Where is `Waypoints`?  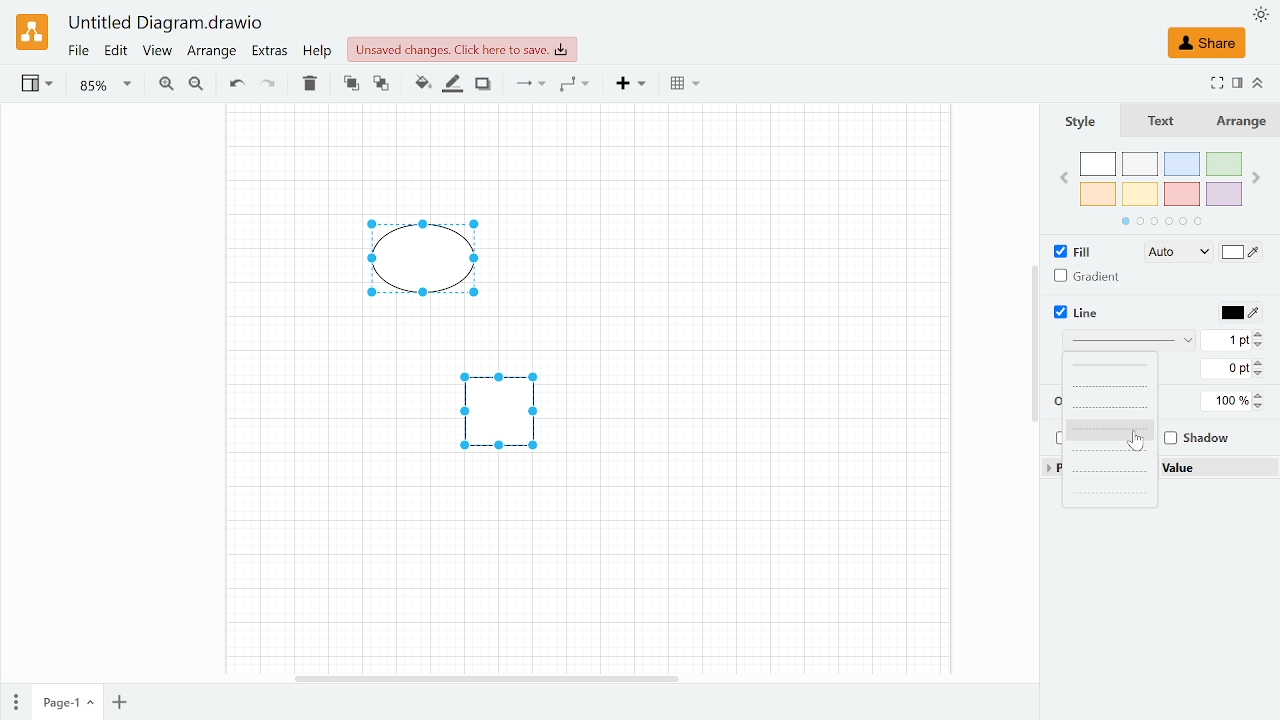
Waypoints is located at coordinates (574, 85).